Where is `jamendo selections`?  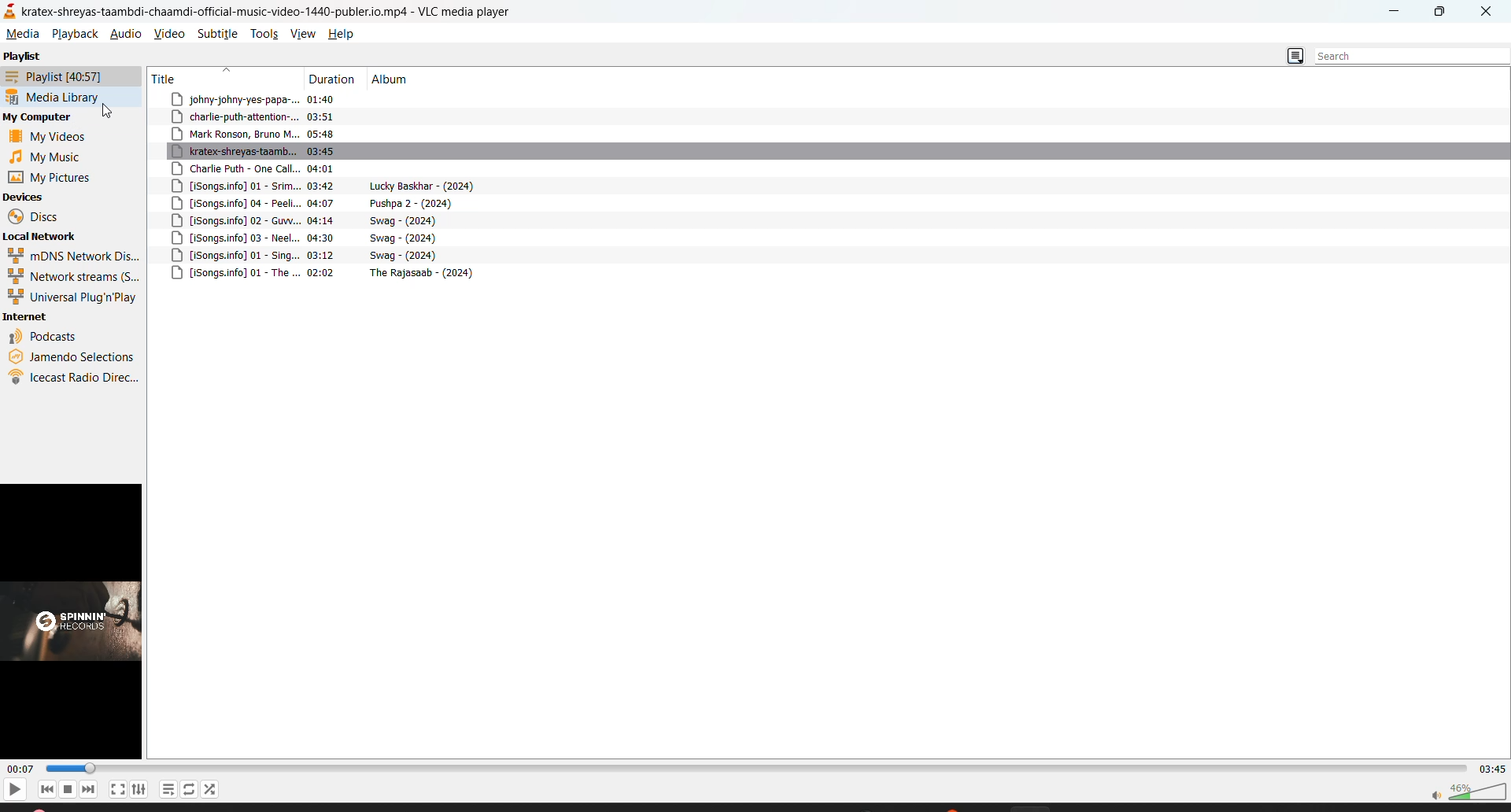 jamendo selections is located at coordinates (70, 359).